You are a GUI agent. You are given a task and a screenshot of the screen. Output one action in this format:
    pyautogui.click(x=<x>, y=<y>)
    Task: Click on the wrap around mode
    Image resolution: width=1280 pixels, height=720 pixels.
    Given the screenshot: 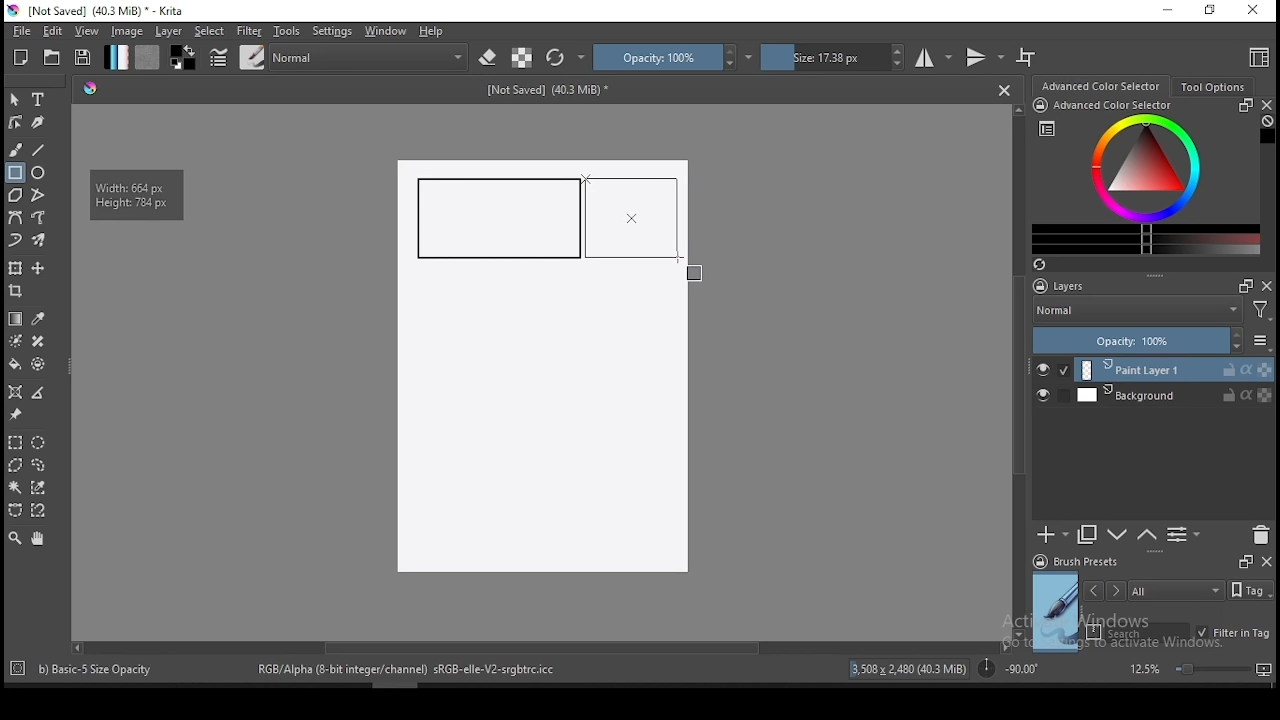 What is the action you would take?
    pyautogui.click(x=1027, y=57)
    